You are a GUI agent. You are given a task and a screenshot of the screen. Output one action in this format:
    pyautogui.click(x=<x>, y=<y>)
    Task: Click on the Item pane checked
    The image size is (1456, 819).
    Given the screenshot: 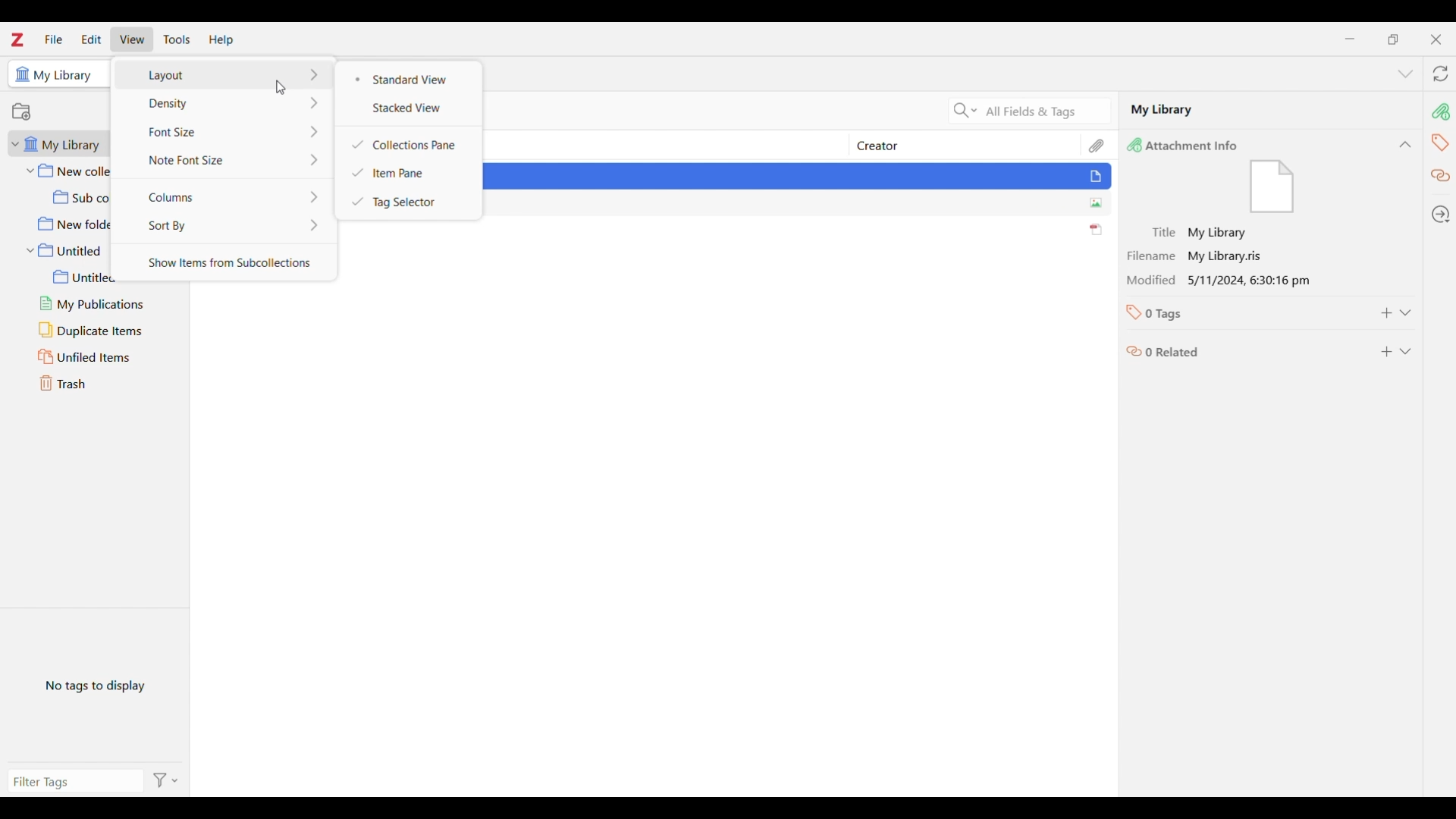 What is the action you would take?
    pyautogui.click(x=408, y=172)
    